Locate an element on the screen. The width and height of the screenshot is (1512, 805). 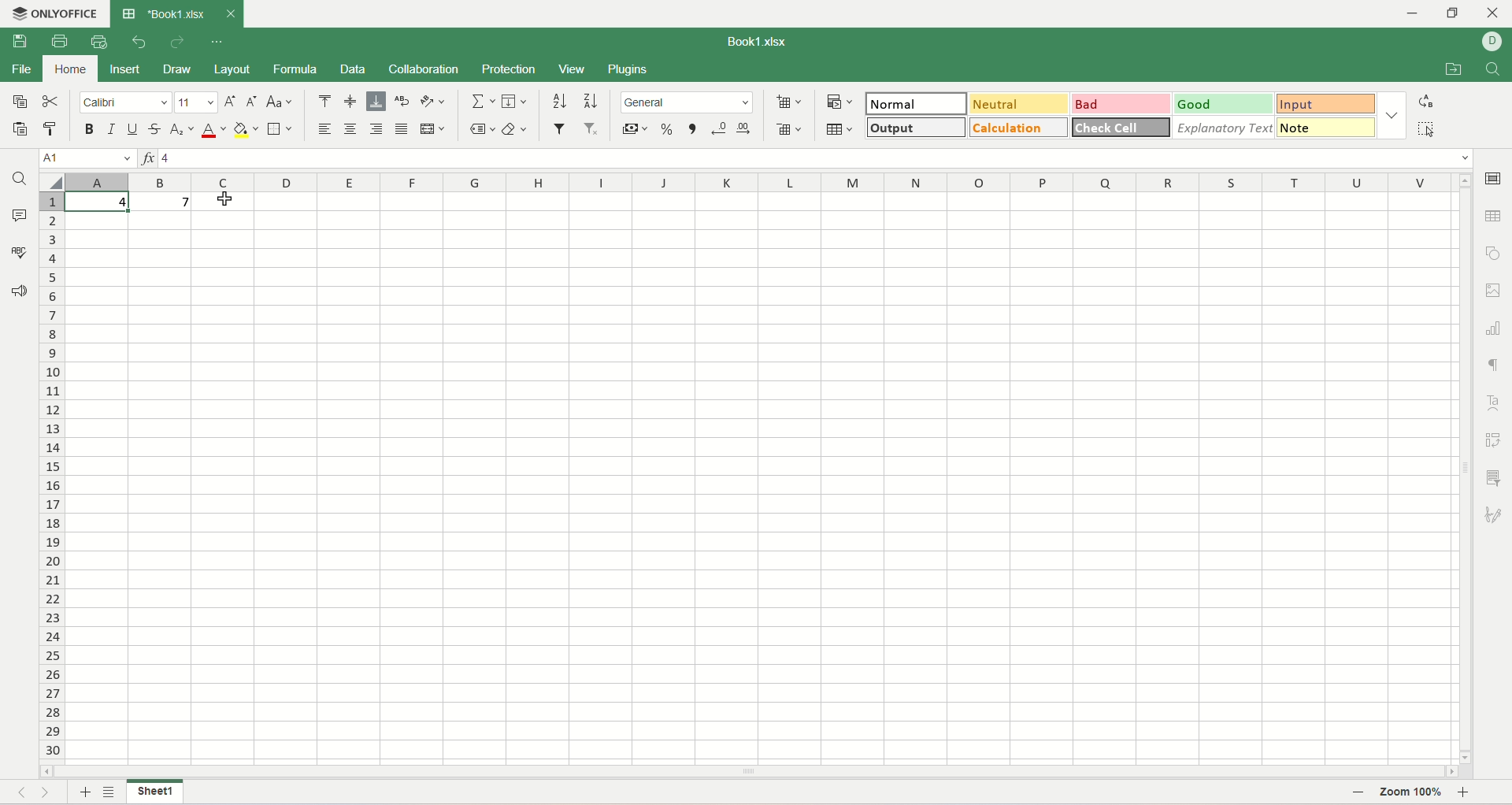
formula is located at coordinates (296, 69).